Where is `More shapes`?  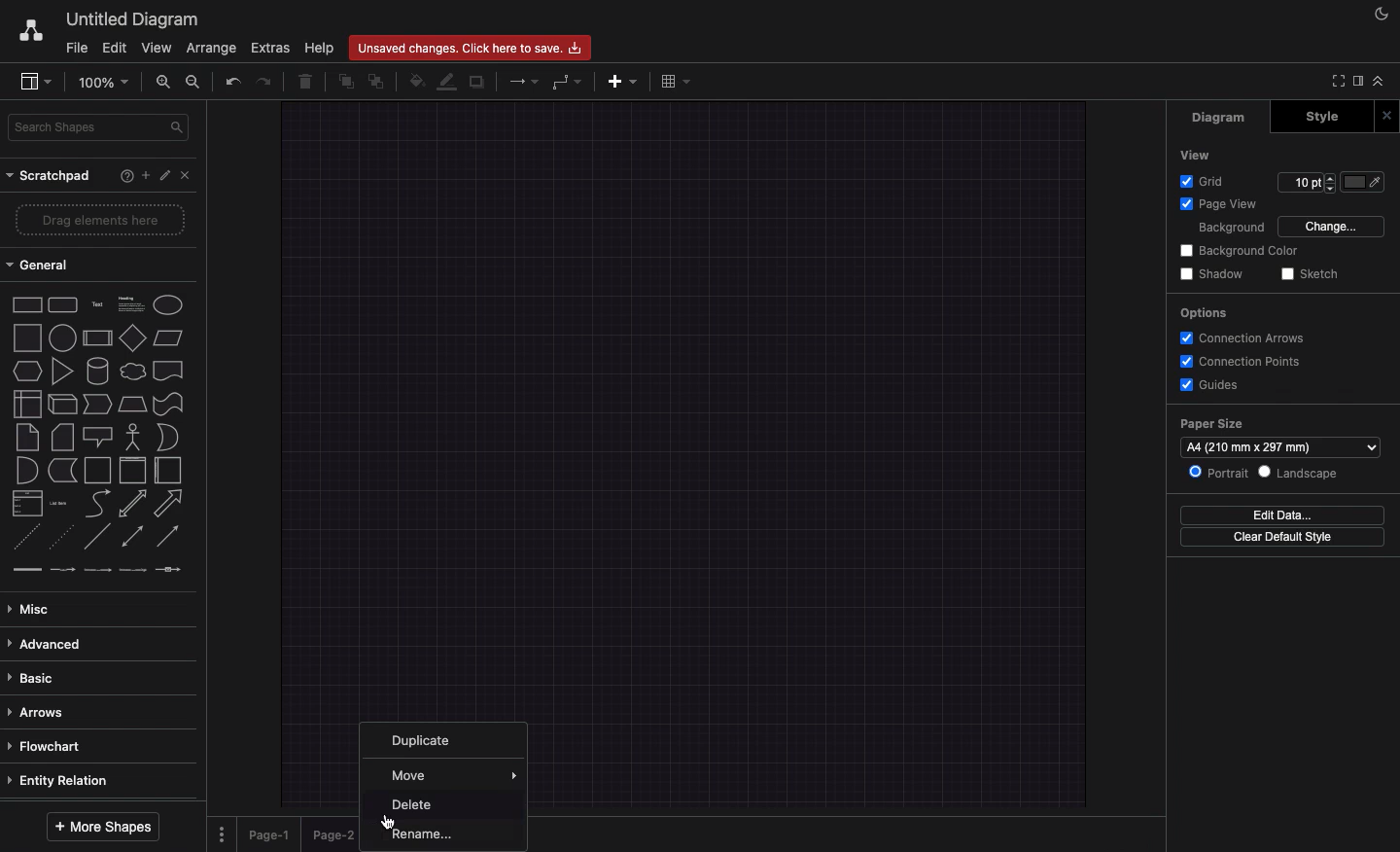 More shapes is located at coordinates (99, 827).